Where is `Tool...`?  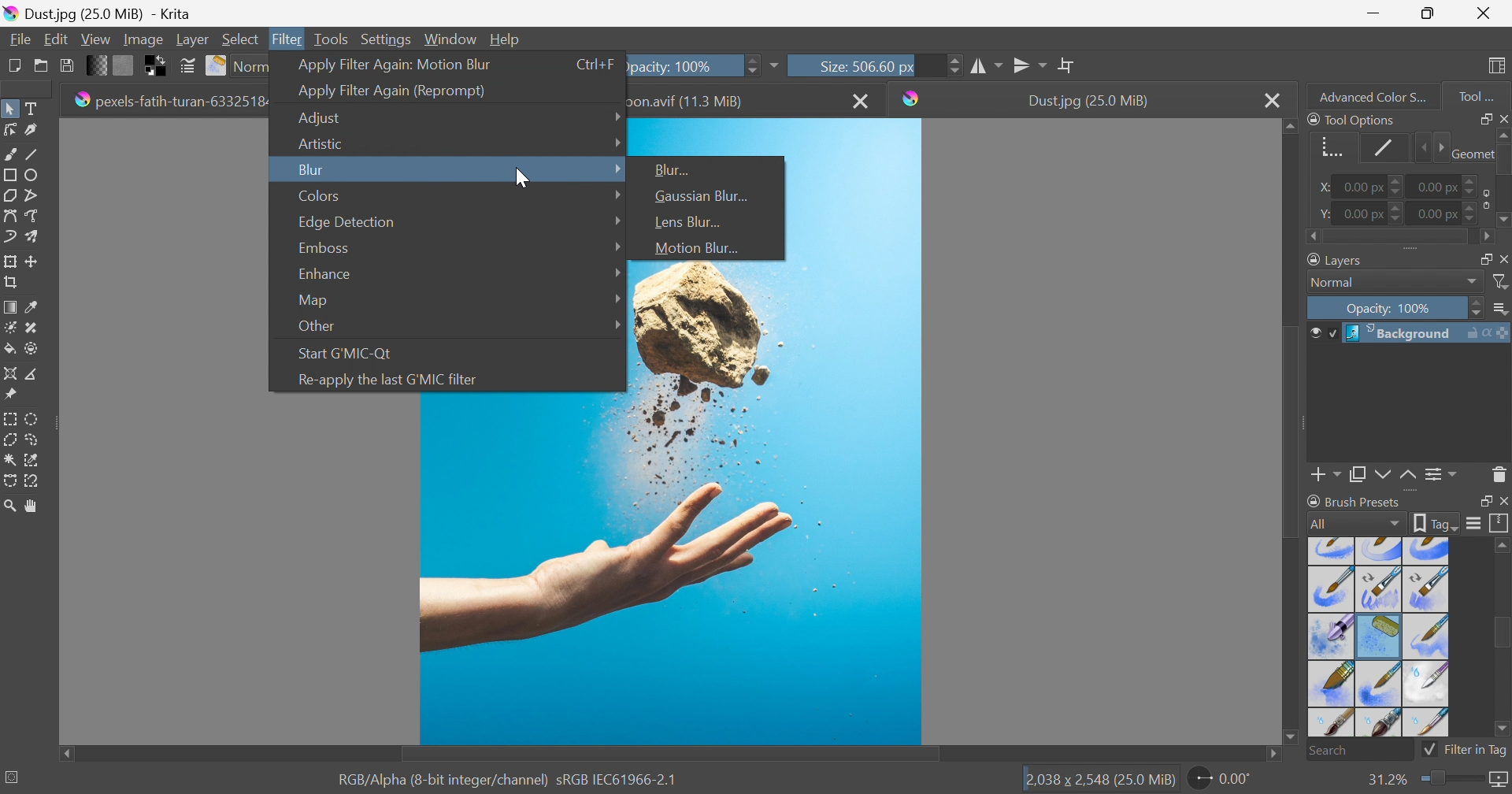 Tool... is located at coordinates (1484, 93).